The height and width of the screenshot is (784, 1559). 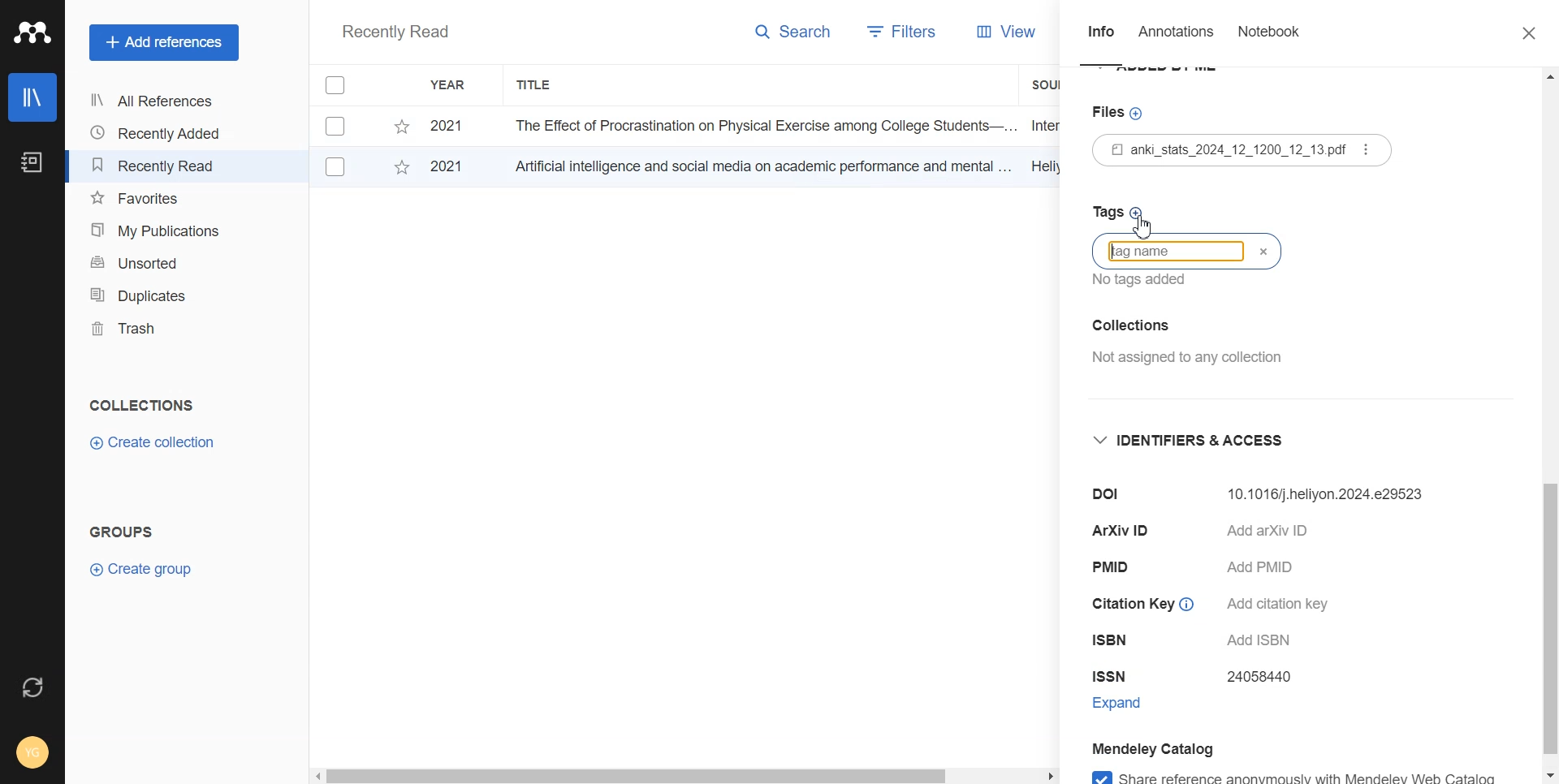 What do you see at coordinates (451, 85) in the screenshot?
I see `Year` at bounding box center [451, 85].